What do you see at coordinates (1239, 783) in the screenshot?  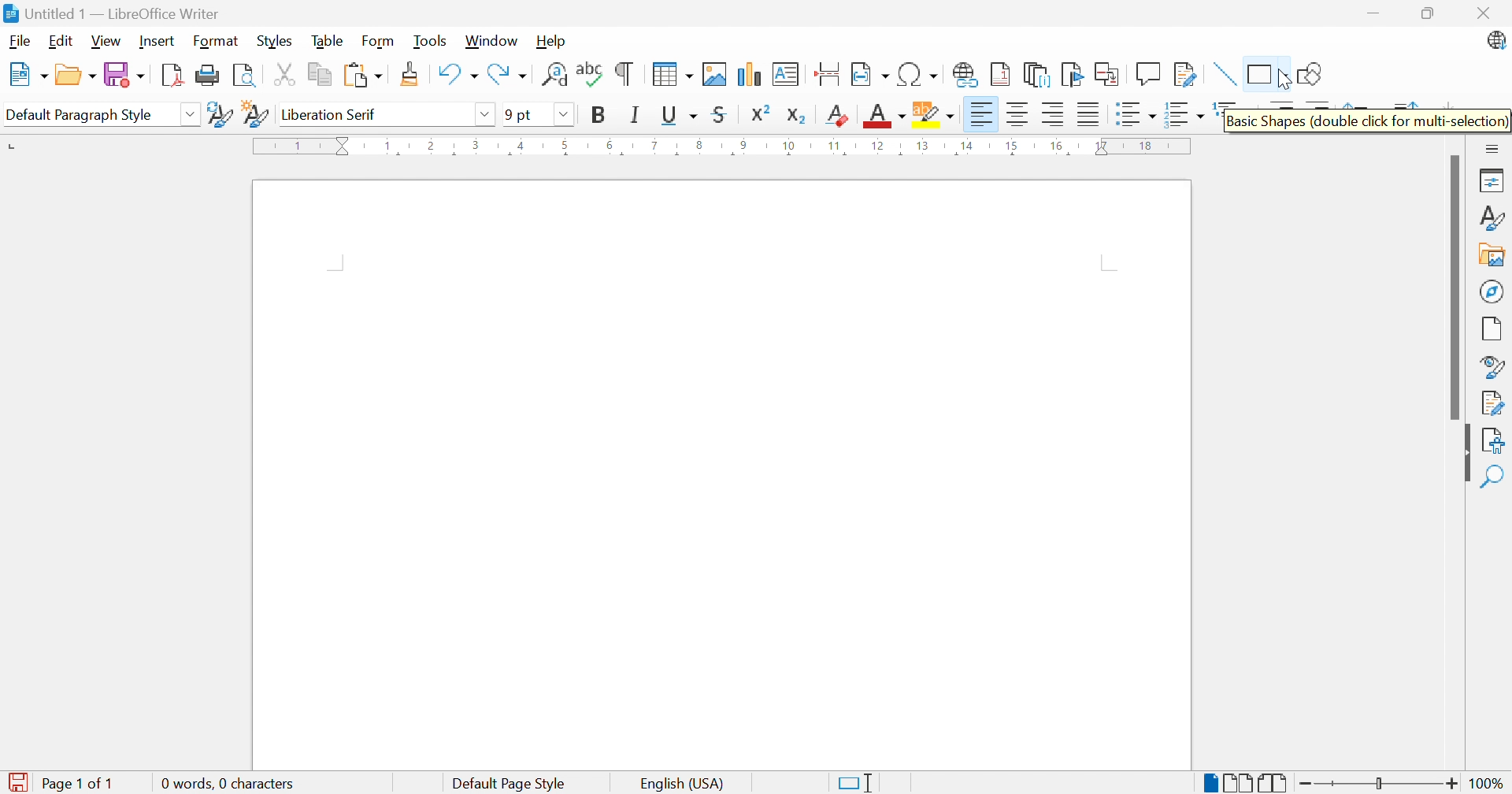 I see `Multiple-page view` at bounding box center [1239, 783].